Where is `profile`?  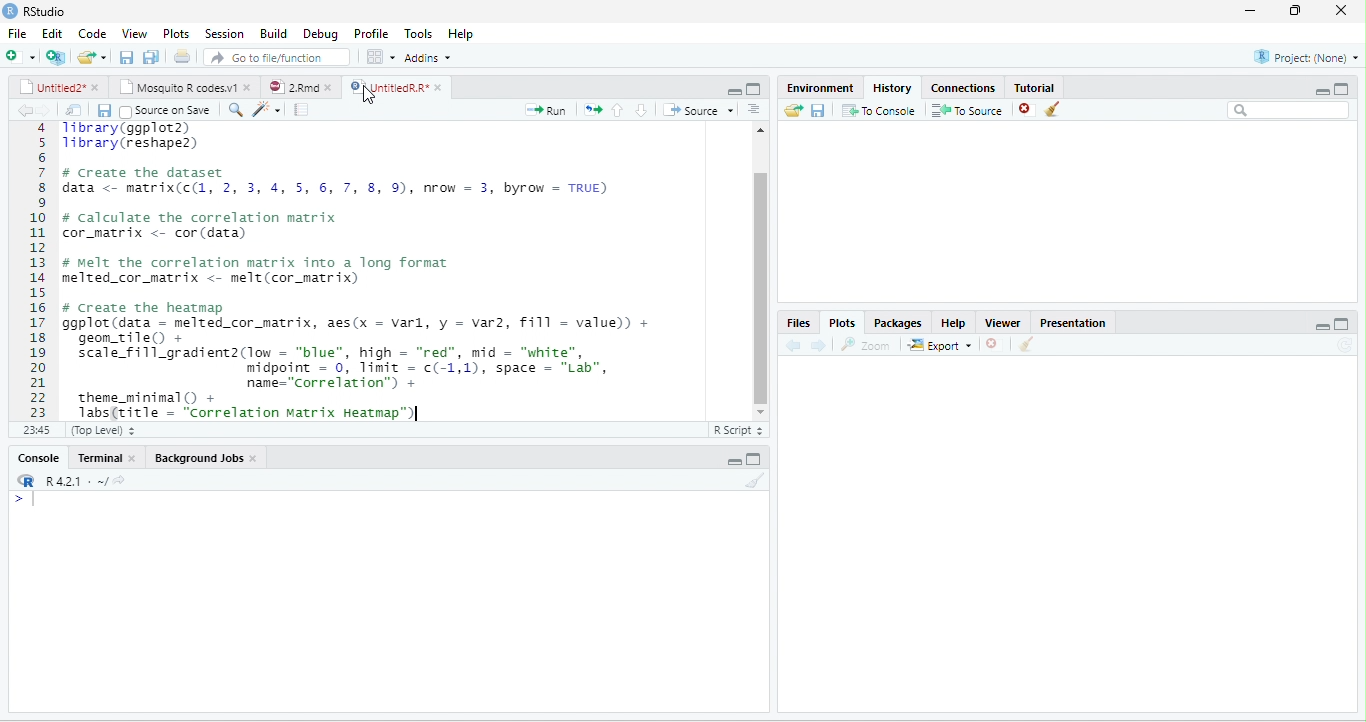 profile is located at coordinates (370, 33).